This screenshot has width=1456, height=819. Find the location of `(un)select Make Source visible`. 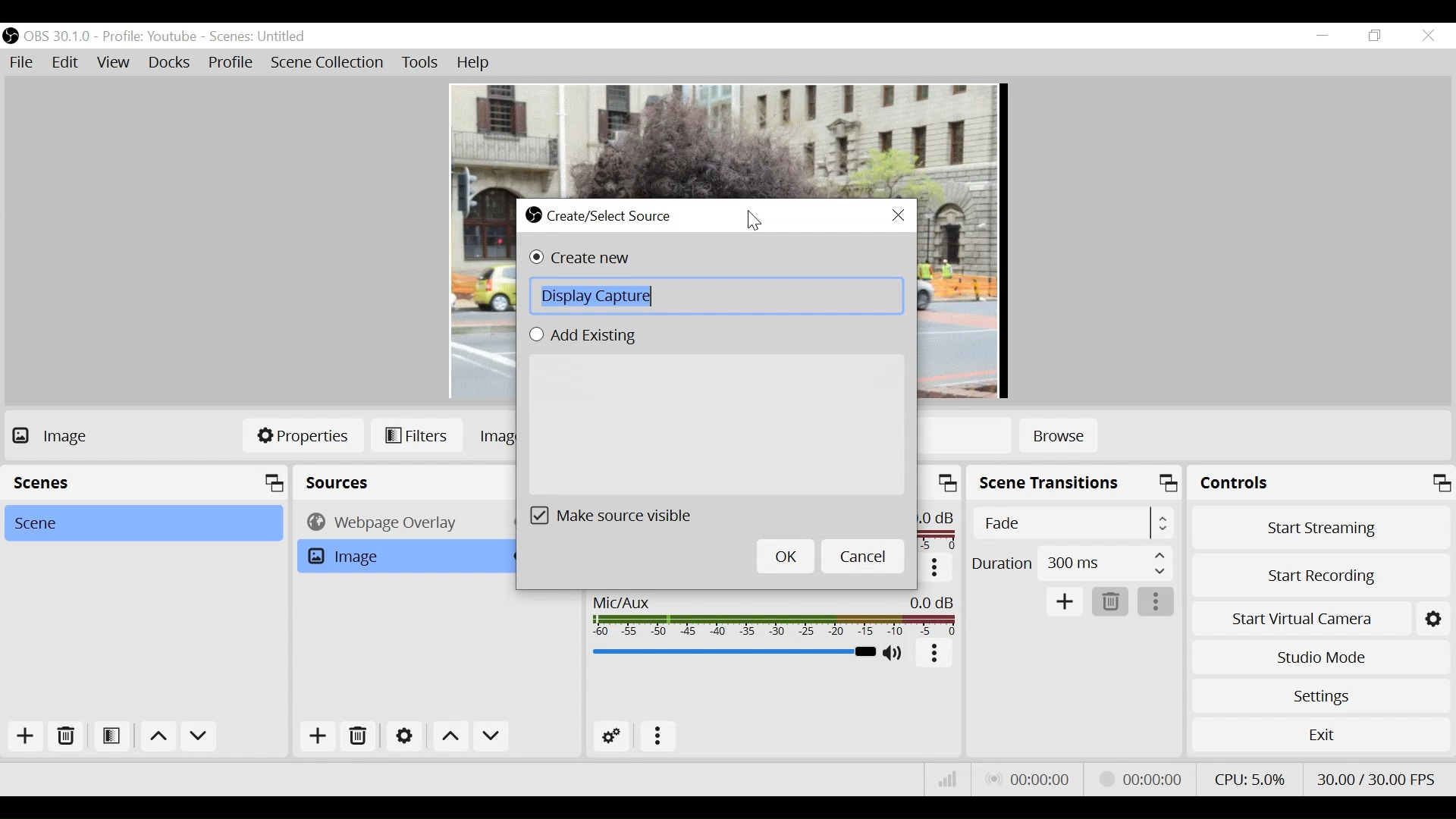

(un)select Make Source visible is located at coordinates (621, 515).